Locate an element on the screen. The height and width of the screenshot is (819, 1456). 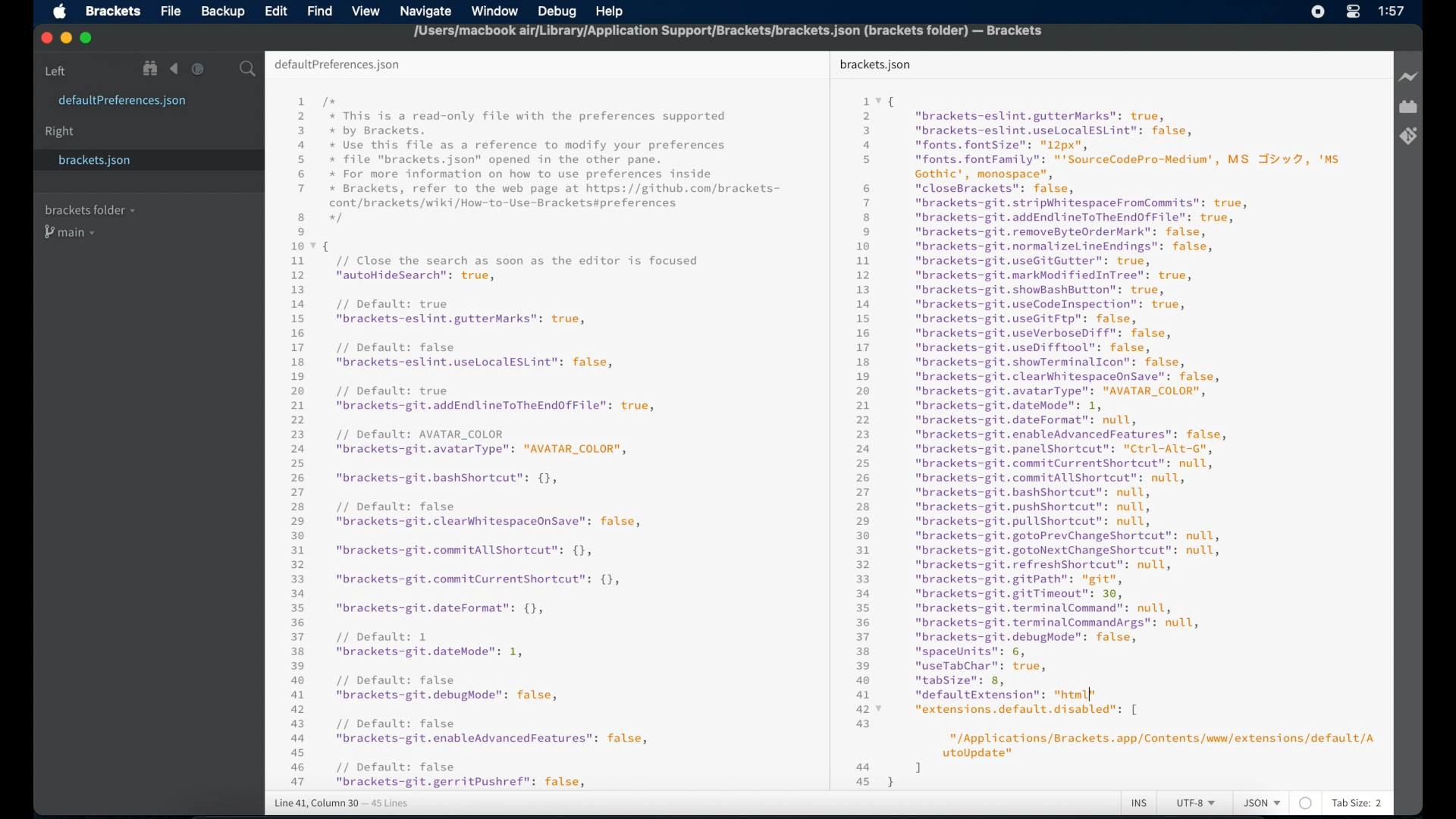
ins is located at coordinates (1140, 804).